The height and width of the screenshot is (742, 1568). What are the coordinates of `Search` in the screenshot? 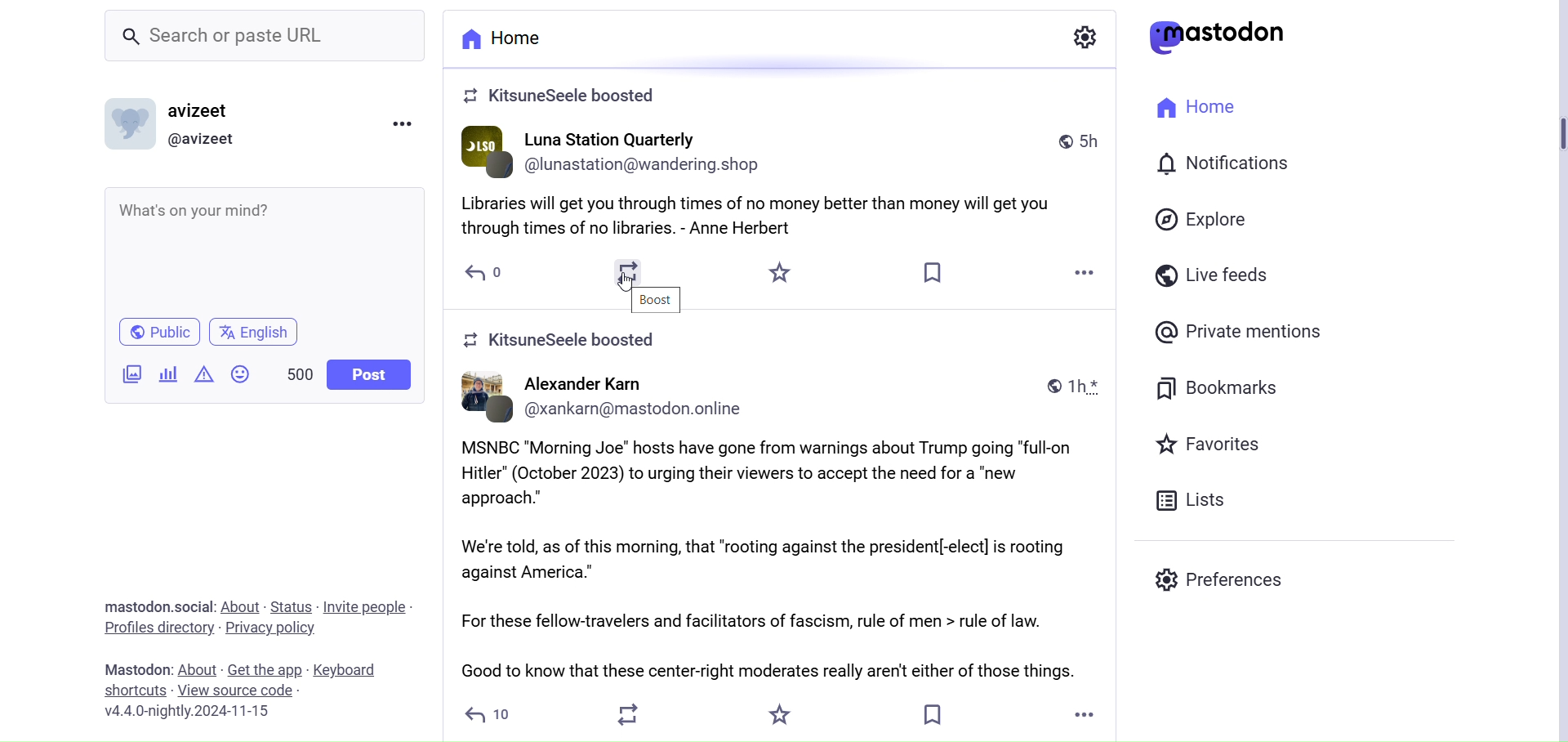 It's located at (265, 37).